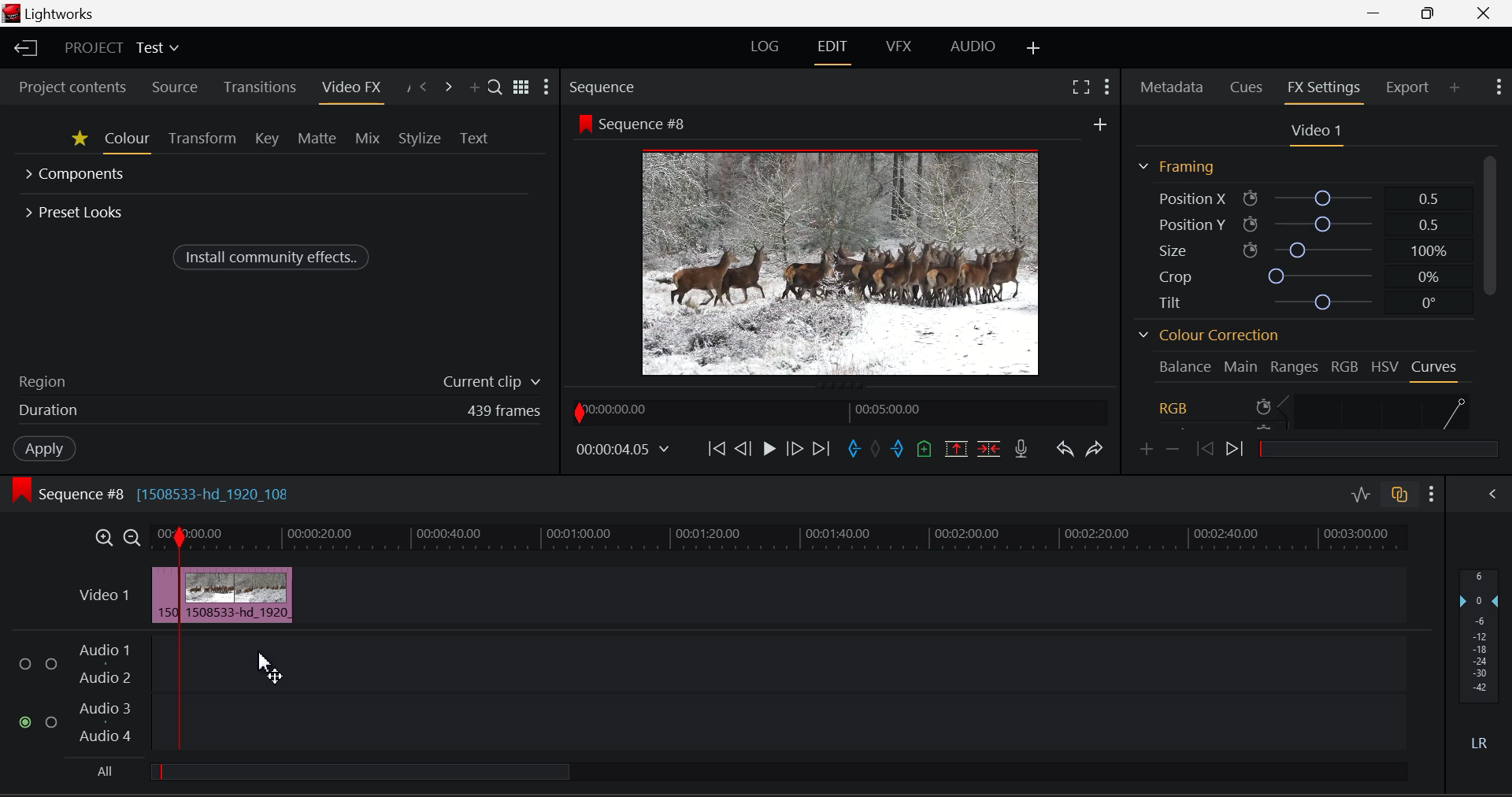  Describe the element at coordinates (1110, 86) in the screenshot. I see `Show Settings` at that location.